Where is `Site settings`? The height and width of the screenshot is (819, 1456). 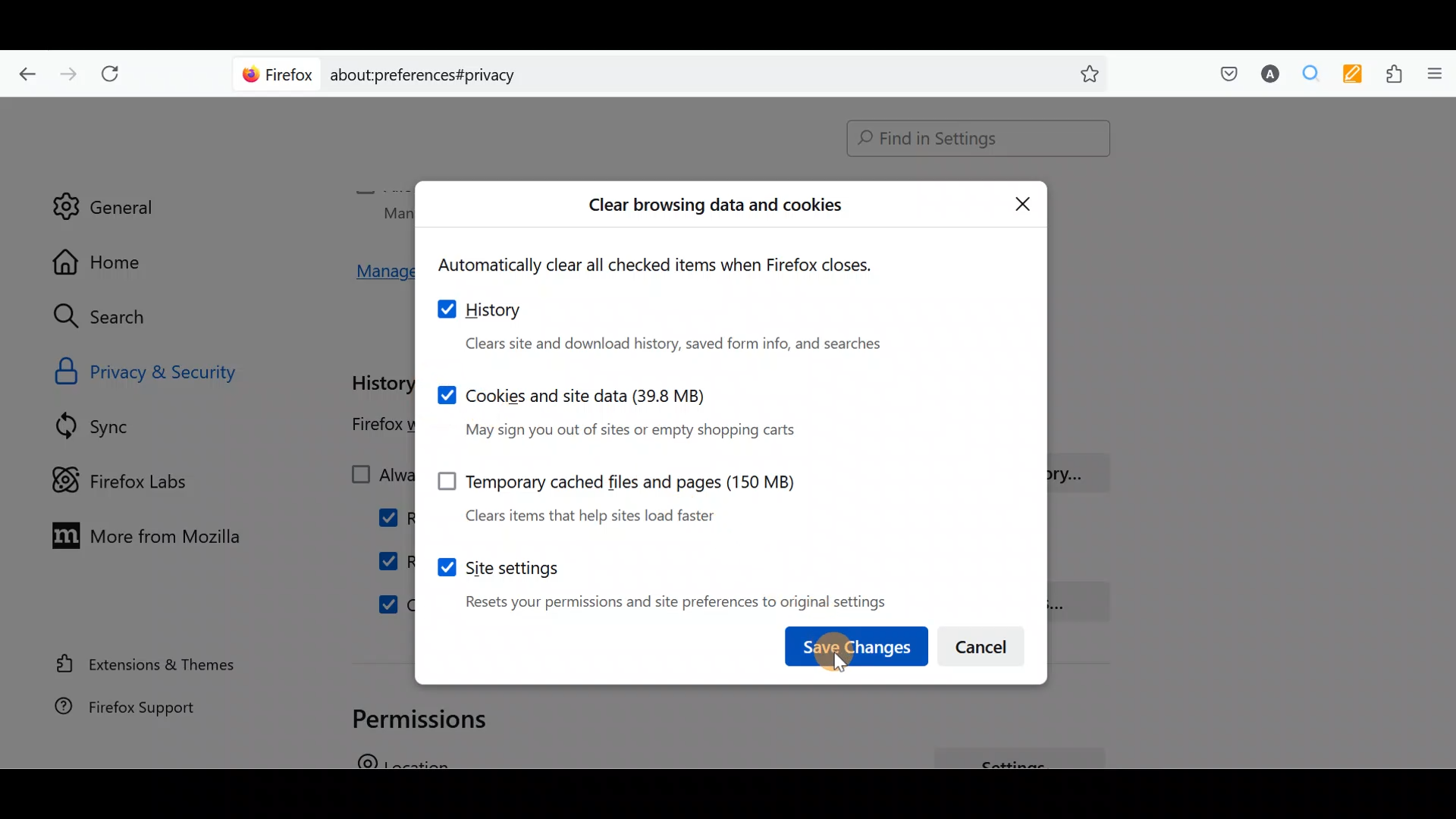
Site settings is located at coordinates (659, 578).